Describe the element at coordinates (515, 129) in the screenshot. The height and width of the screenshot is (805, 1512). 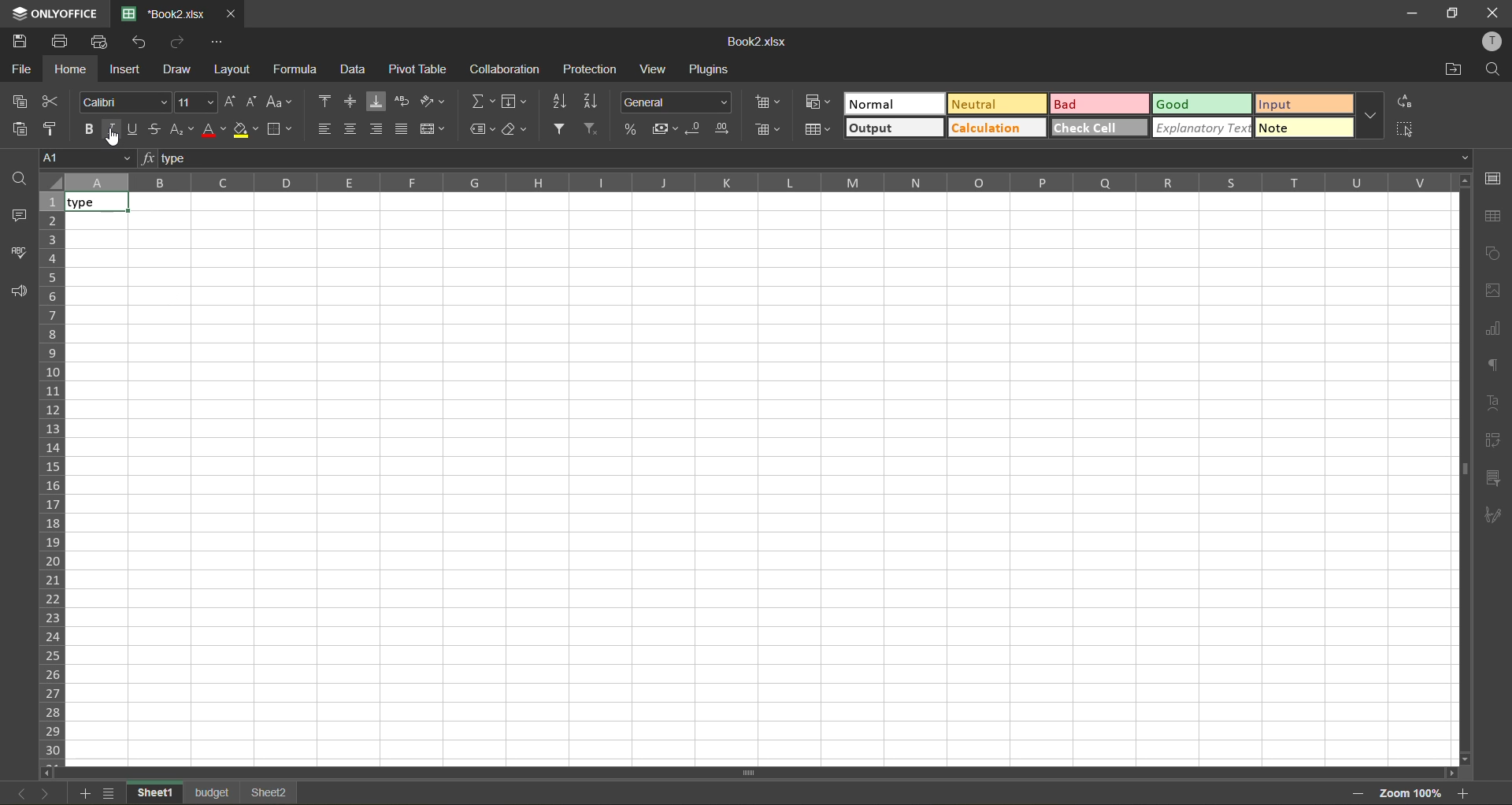
I see `clear` at that location.